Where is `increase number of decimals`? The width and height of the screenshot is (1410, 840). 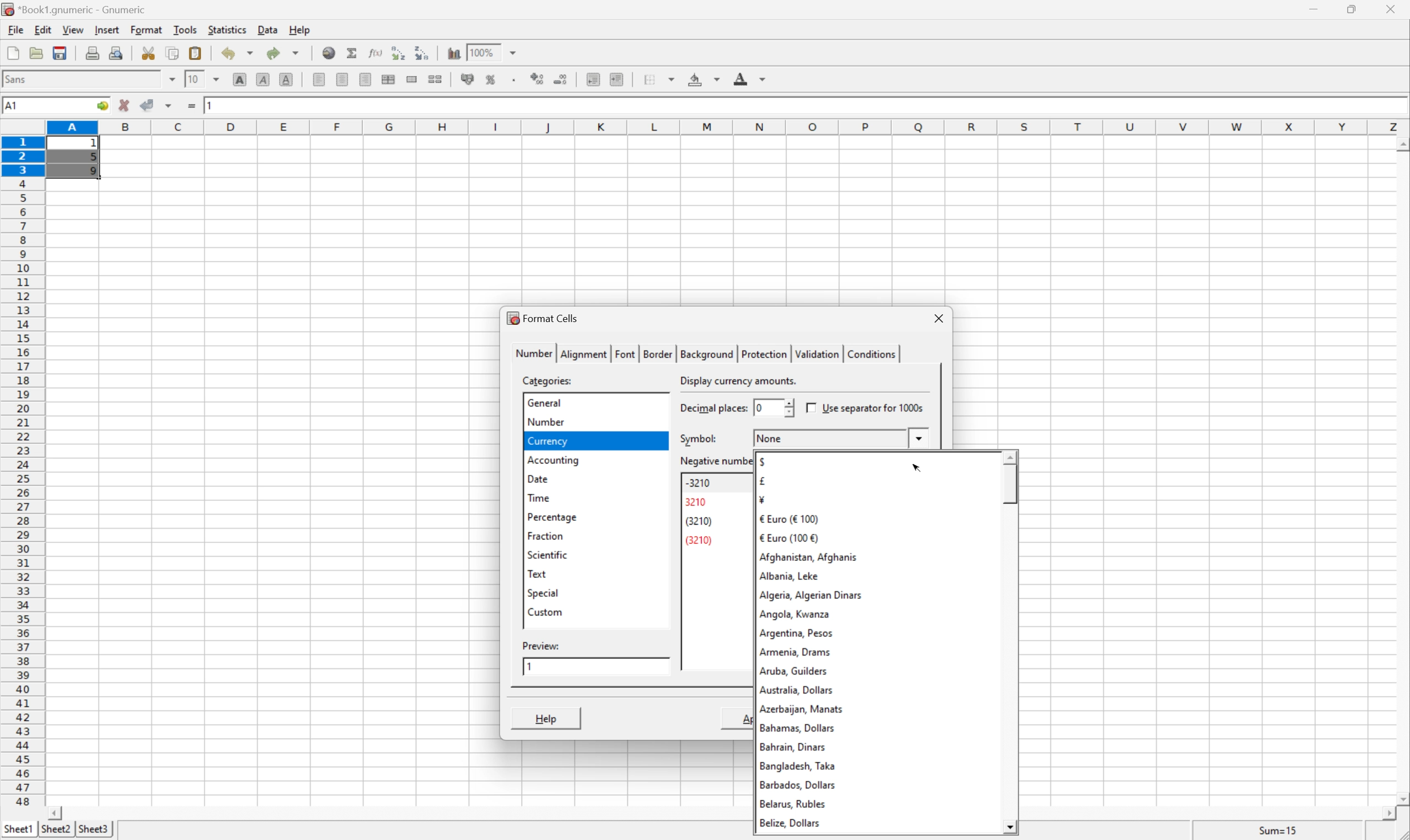 increase number of decimals is located at coordinates (538, 79).